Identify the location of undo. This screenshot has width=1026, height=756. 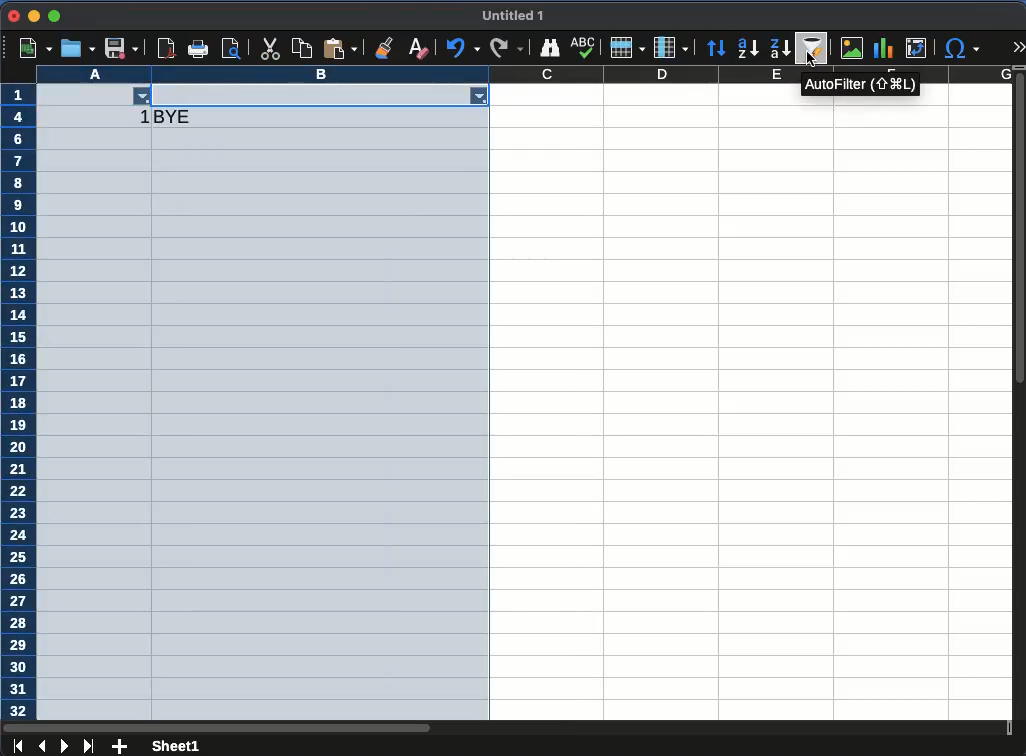
(464, 47).